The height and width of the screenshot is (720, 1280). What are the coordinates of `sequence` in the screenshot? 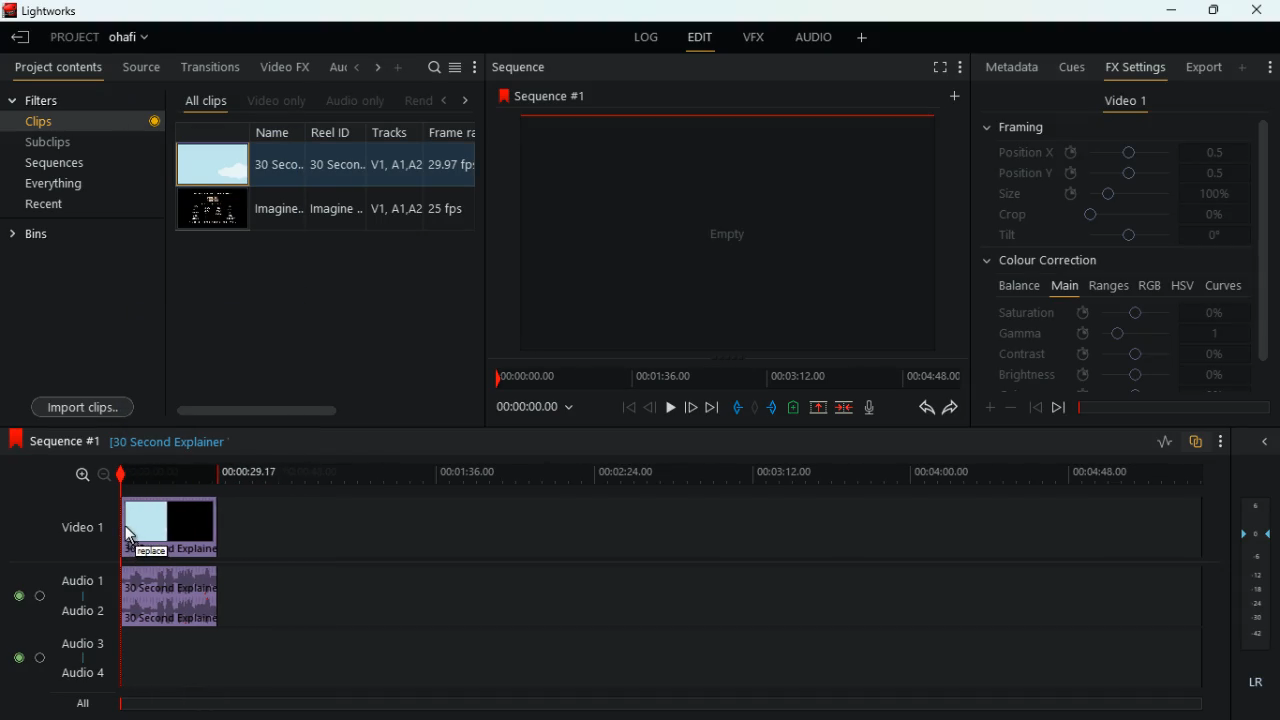 It's located at (521, 67).